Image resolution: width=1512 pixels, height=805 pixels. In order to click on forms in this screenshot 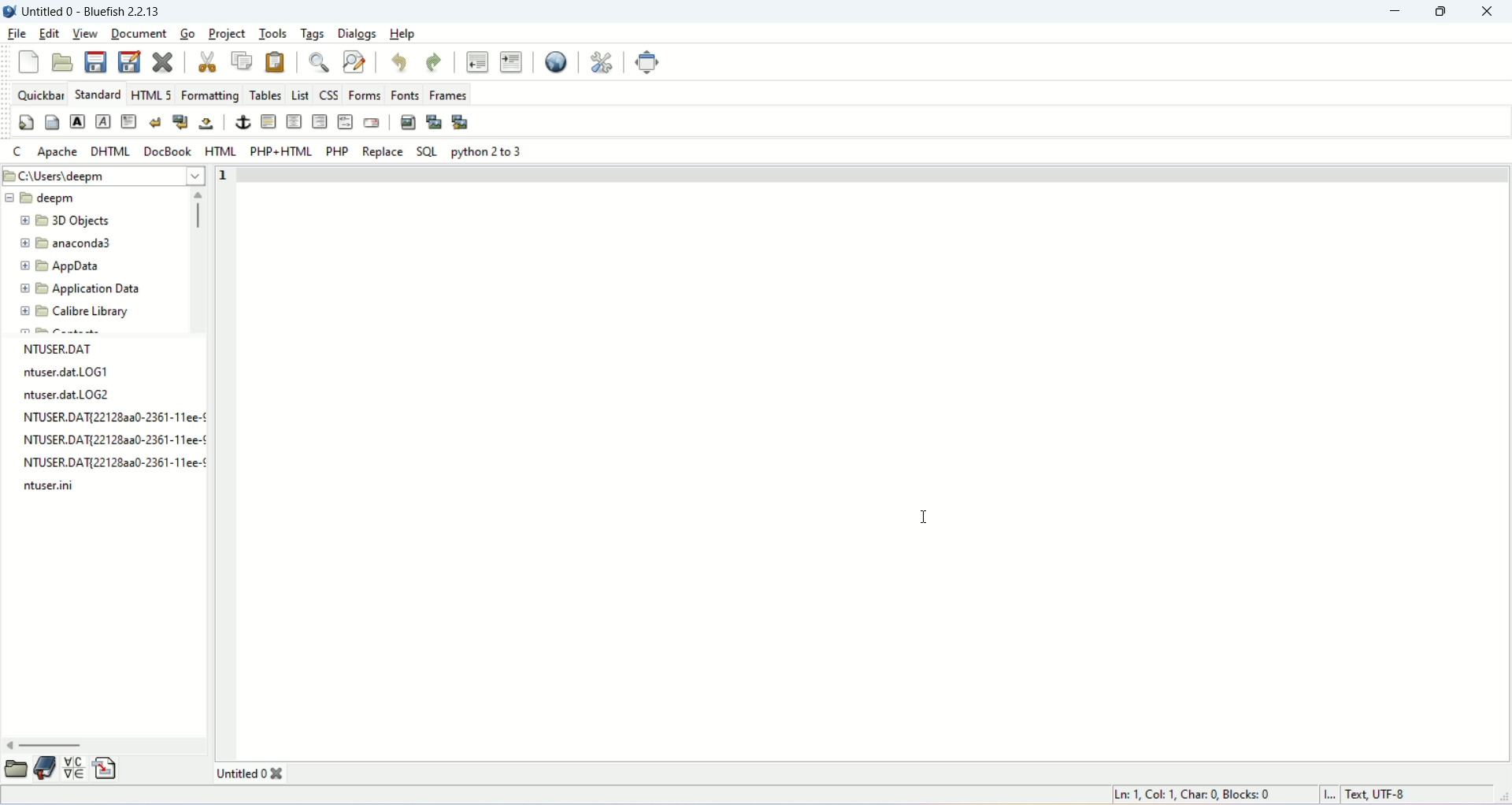, I will do `click(364, 94)`.